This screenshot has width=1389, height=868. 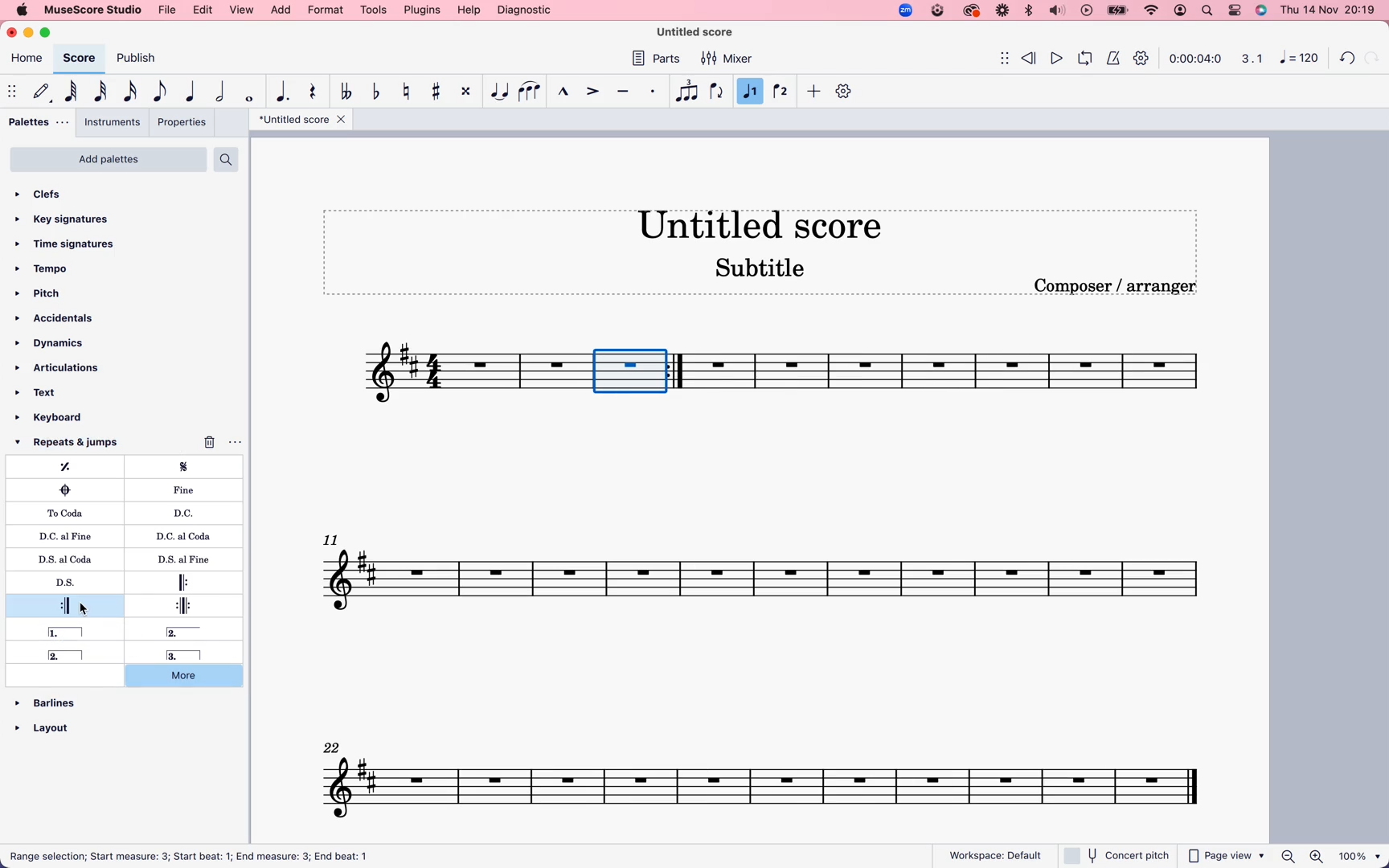 What do you see at coordinates (422, 10) in the screenshot?
I see `plugins` at bounding box center [422, 10].